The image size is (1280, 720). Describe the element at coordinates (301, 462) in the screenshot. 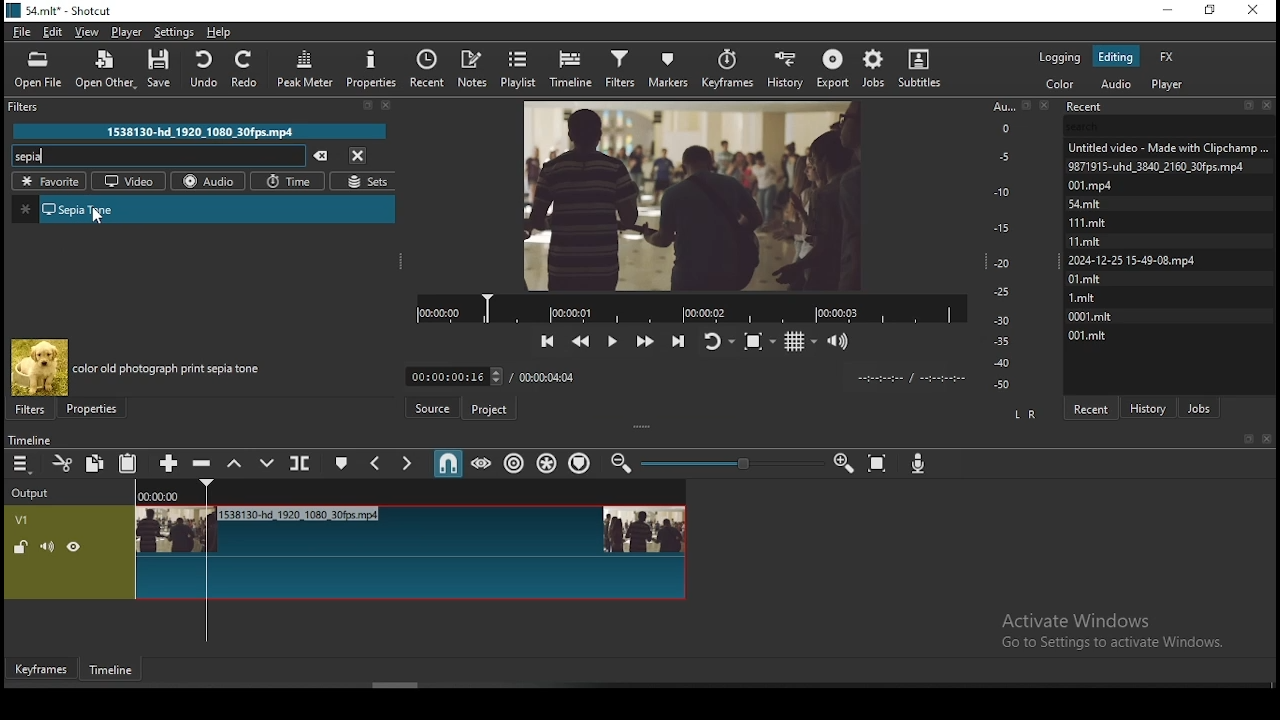

I see `split at playhead` at that location.